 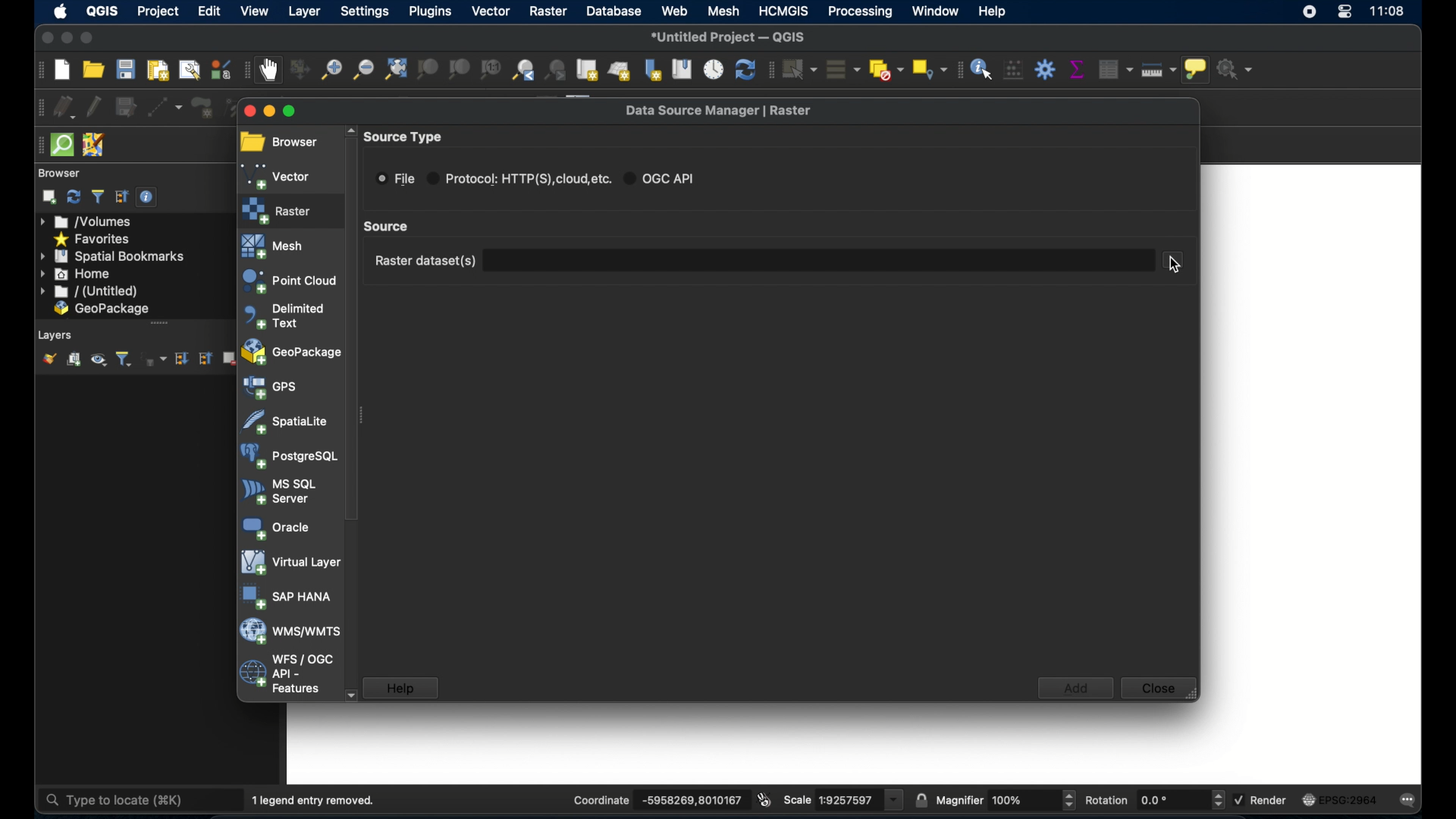 I want to click on maximize, so click(x=87, y=38).